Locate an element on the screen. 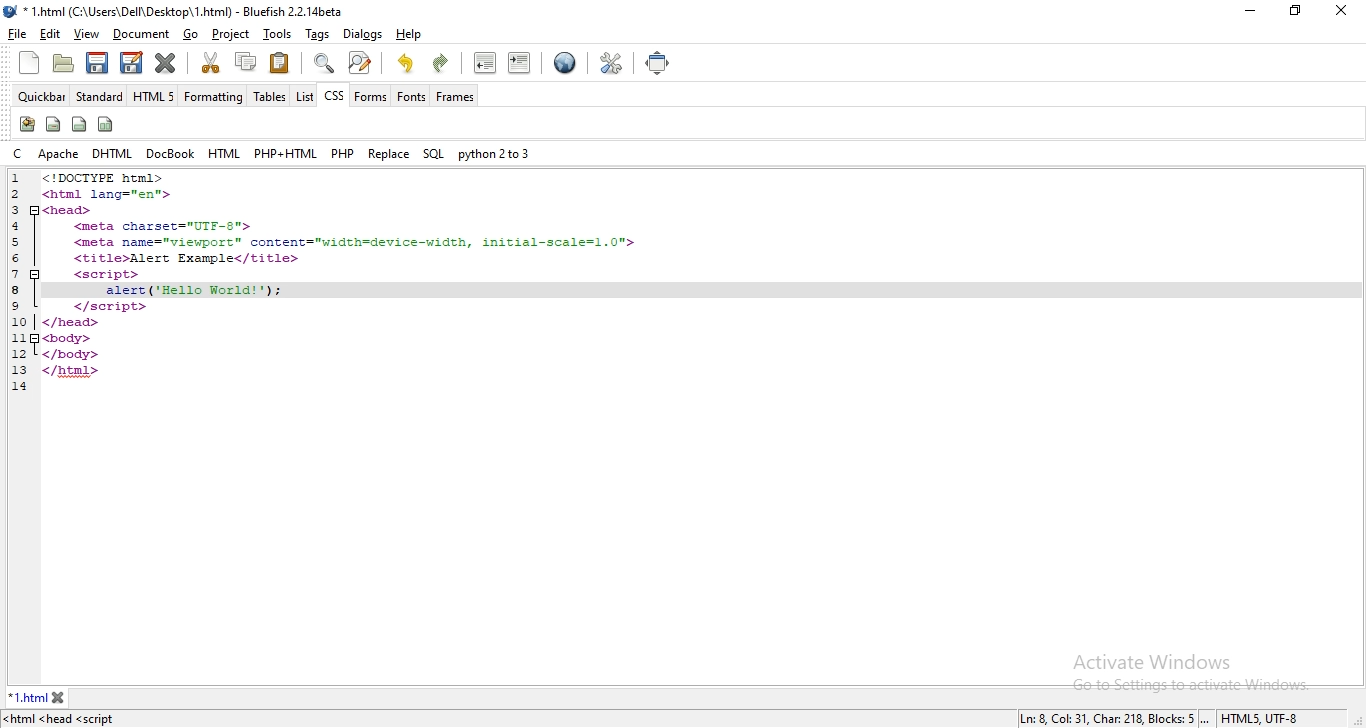 Image resolution: width=1366 pixels, height=728 pixels. php + html is located at coordinates (284, 153).